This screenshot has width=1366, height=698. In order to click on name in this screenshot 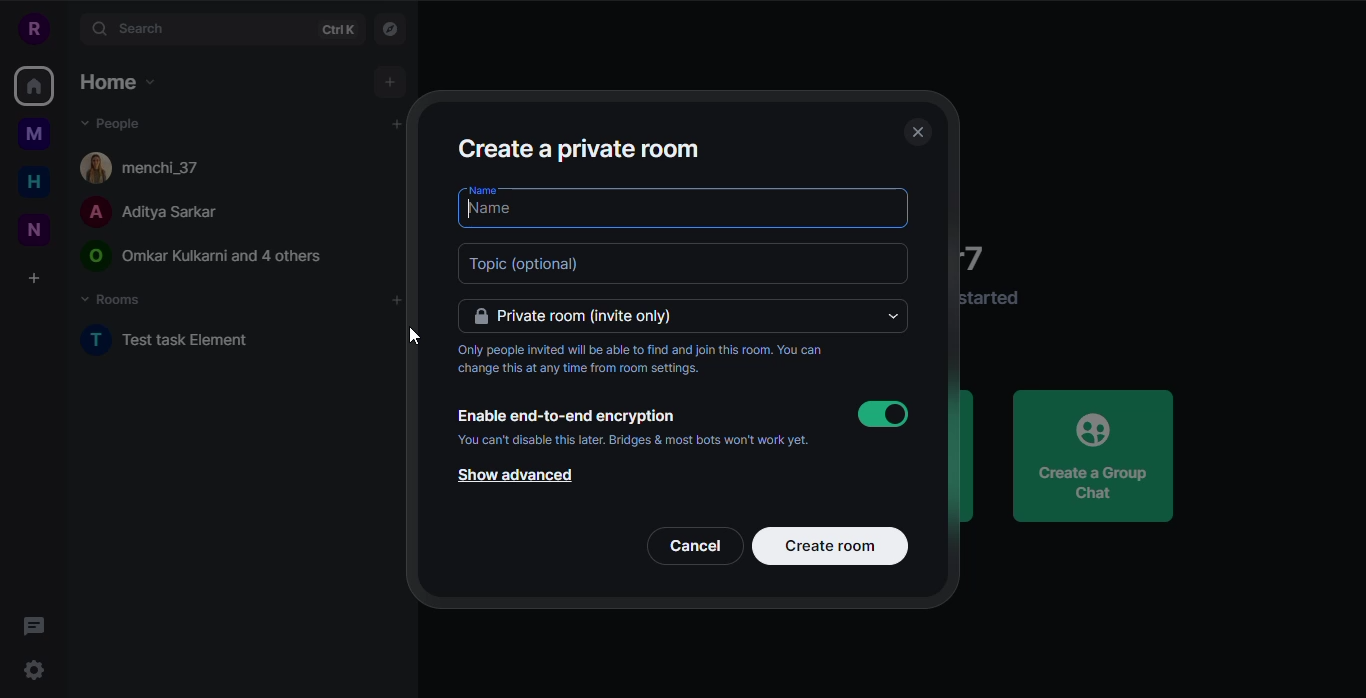, I will do `click(482, 190)`.